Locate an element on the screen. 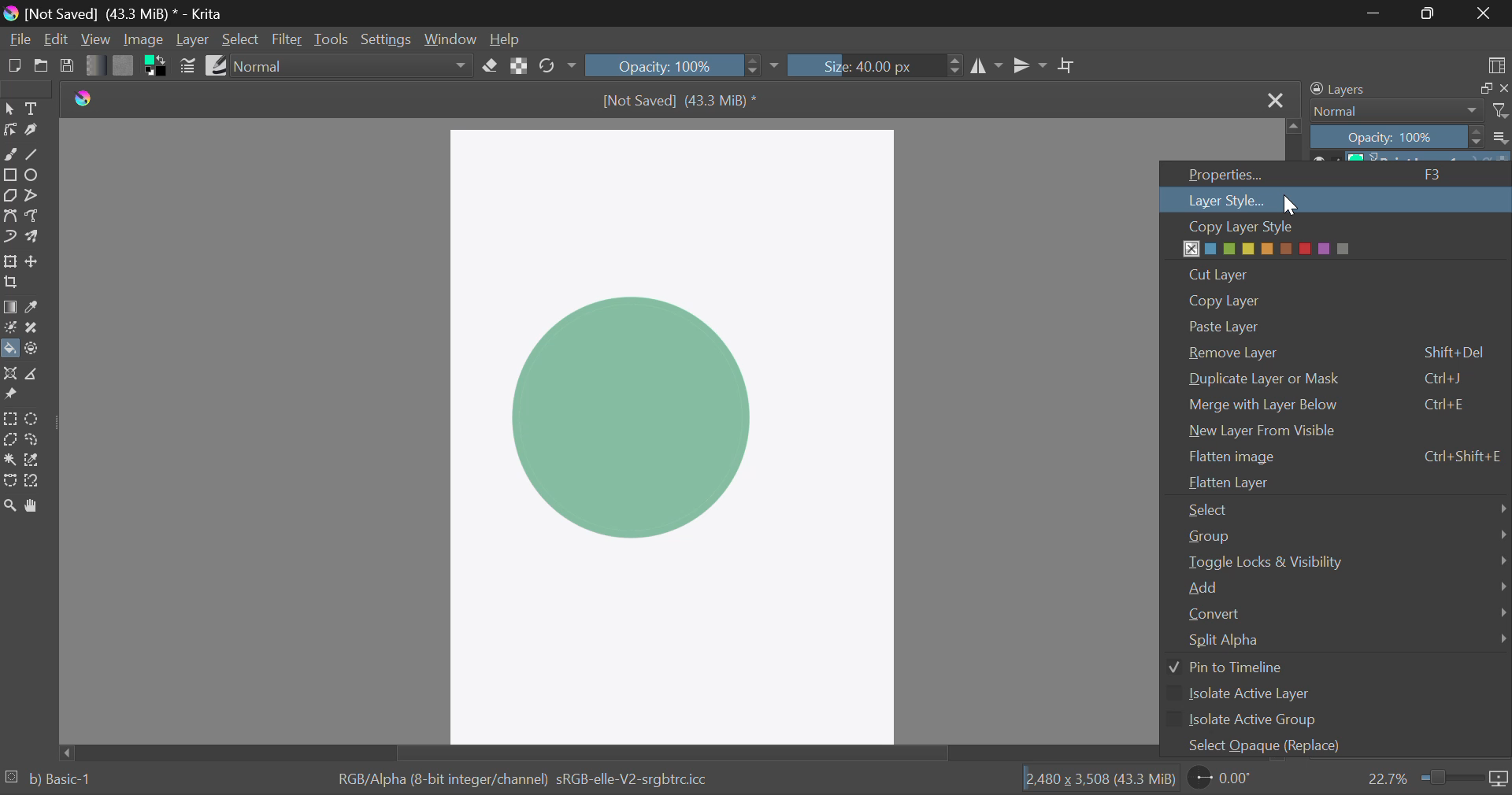 This screenshot has height=795, width=1512. Horizontal Mirror Flip is located at coordinates (1031, 65).